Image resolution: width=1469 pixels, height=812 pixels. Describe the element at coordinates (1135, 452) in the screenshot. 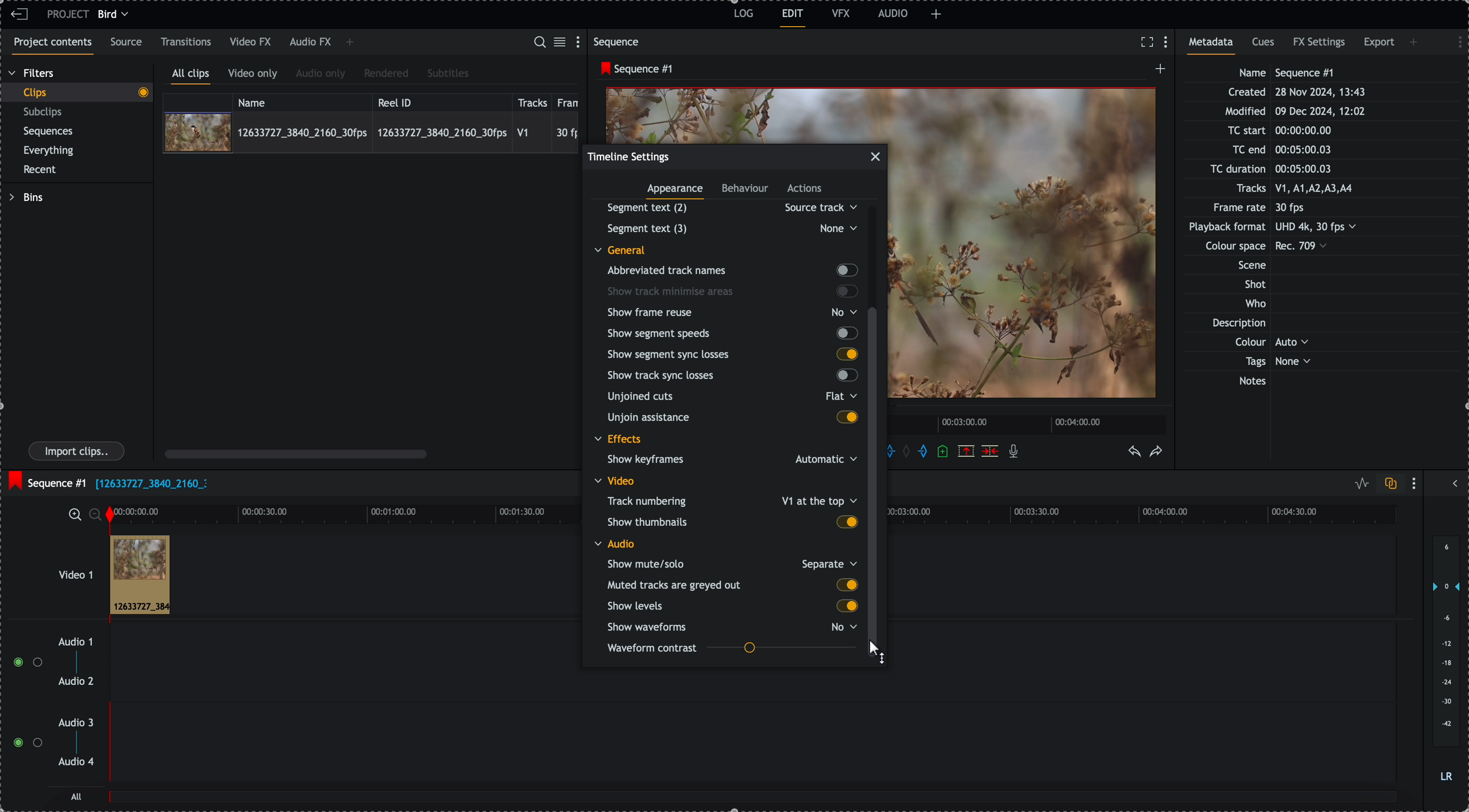

I see `undo` at that location.